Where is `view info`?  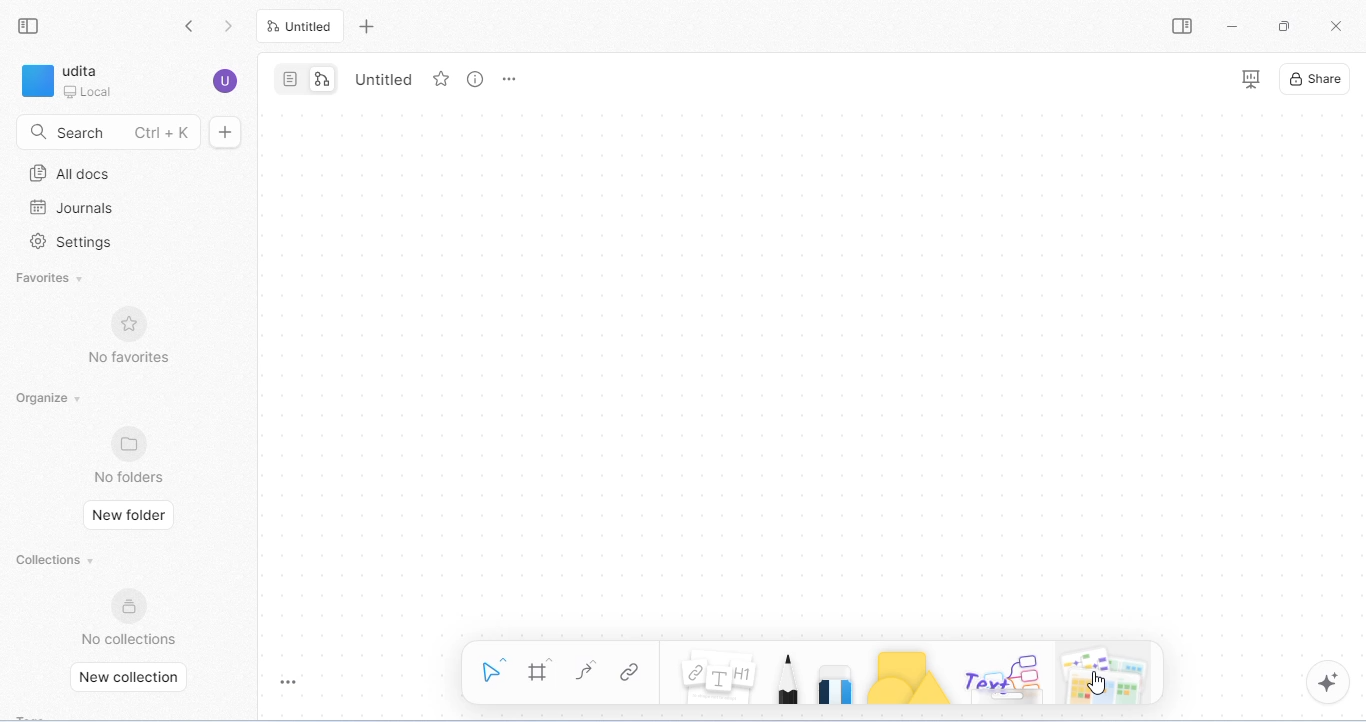
view info is located at coordinates (476, 79).